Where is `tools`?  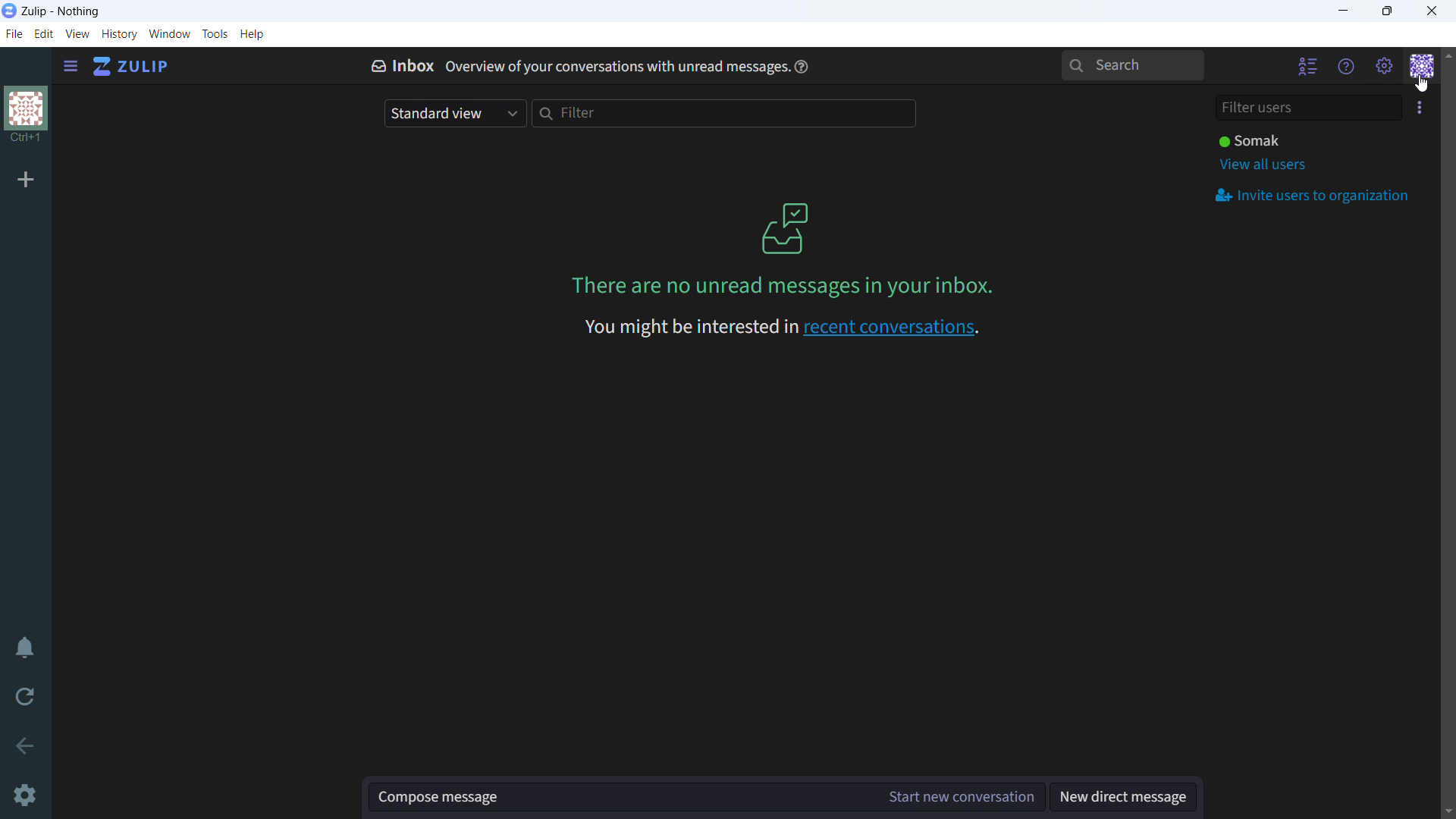
tools is located at coordinates (215, 33).